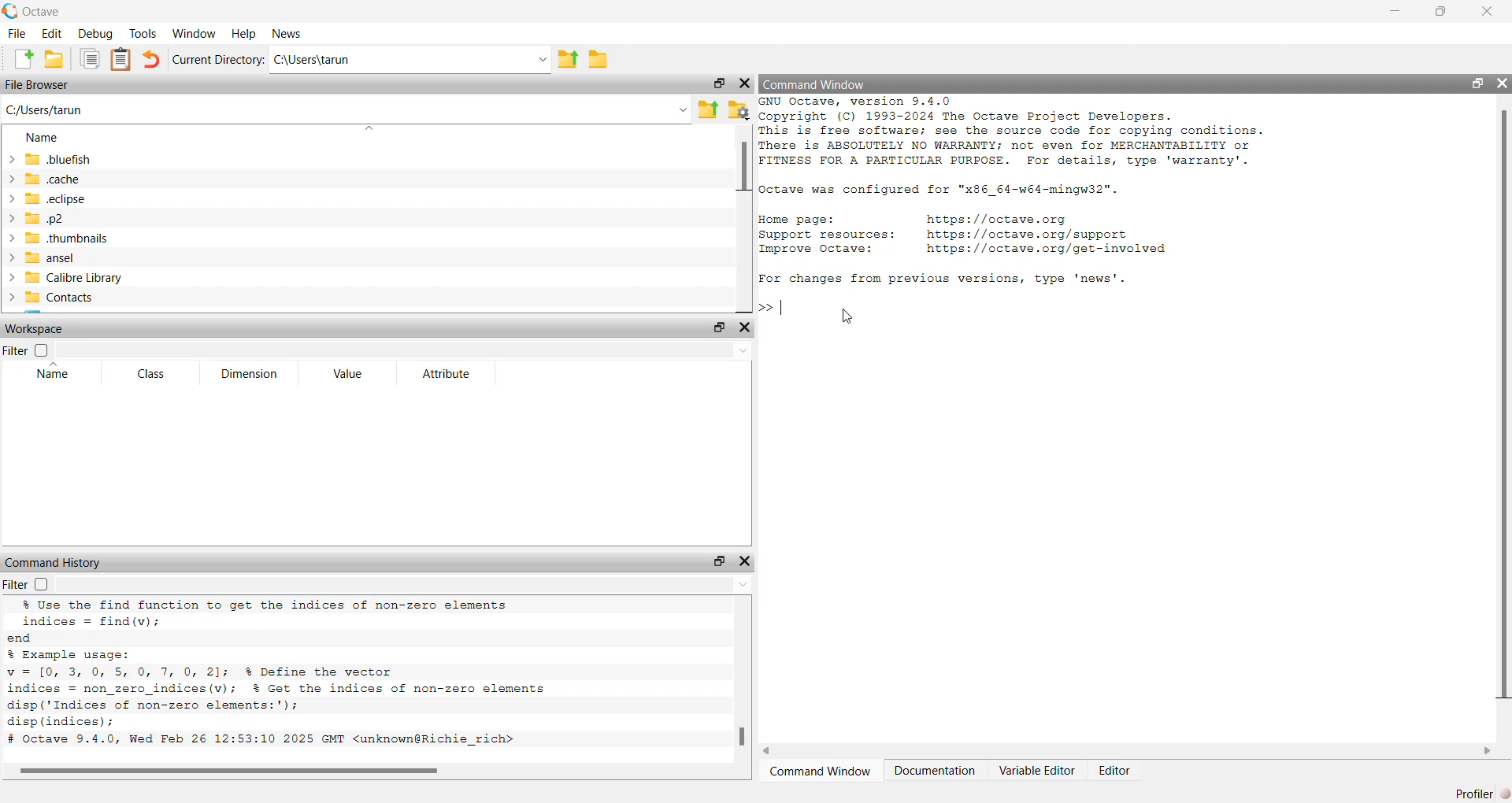 The image size is (1512, 803). Describe the element at coordinates (1439, 15) in the screenshot. I see `restore down` at that location.